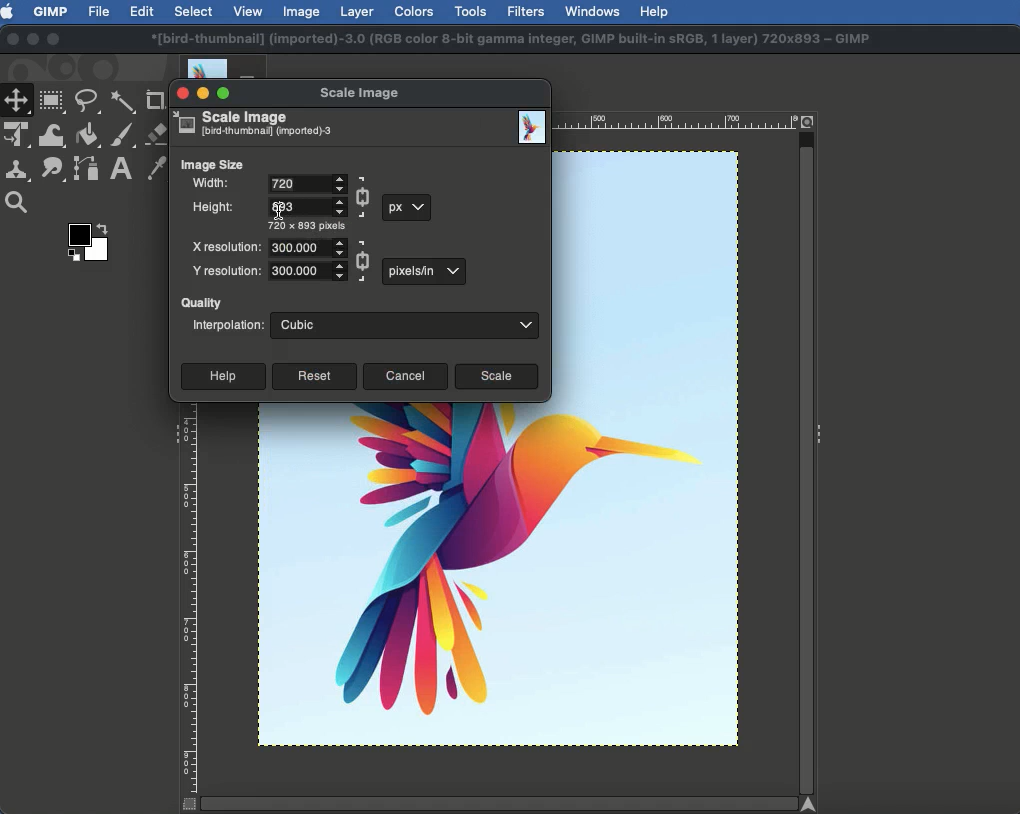 The height and width of the screenshot is (814, 1020). What do you see at coordinates (156, 134) in the screenshot?
I see `Eraser` at bounding box center [156, 134].